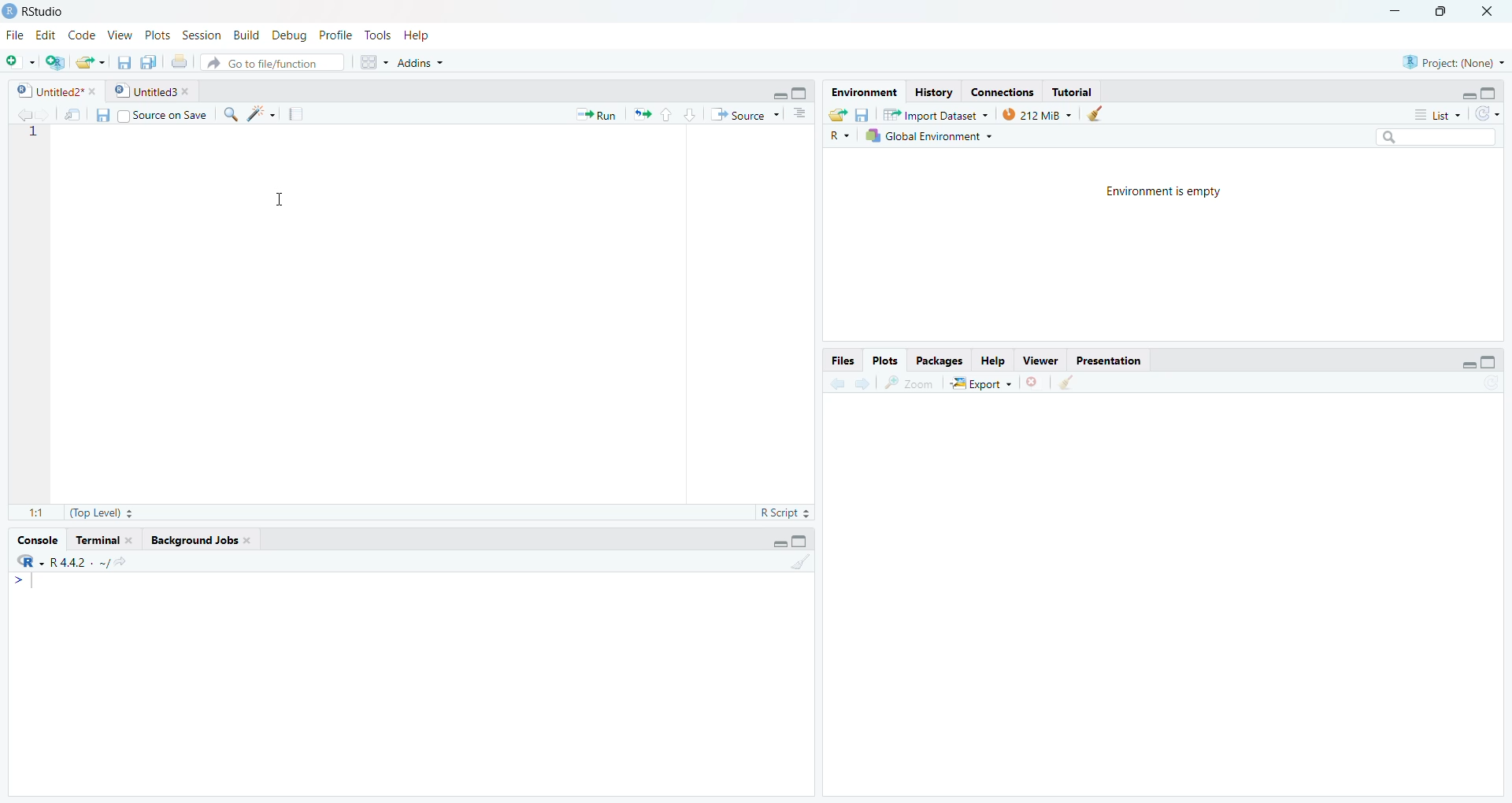  What do you see at coordinates (34, 510) in the screenshot?
I see `1 1` at bounding box center [34, 510].